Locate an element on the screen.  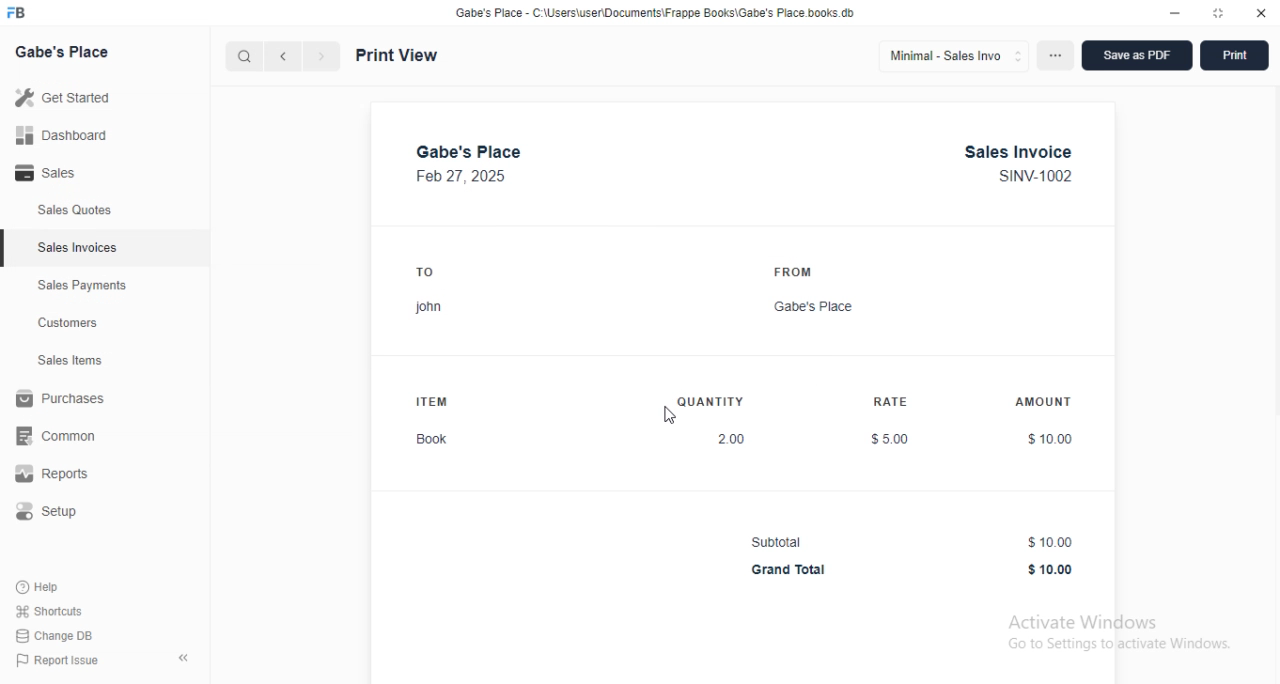
SINV-1002 is located at coordinates (1035, 176).